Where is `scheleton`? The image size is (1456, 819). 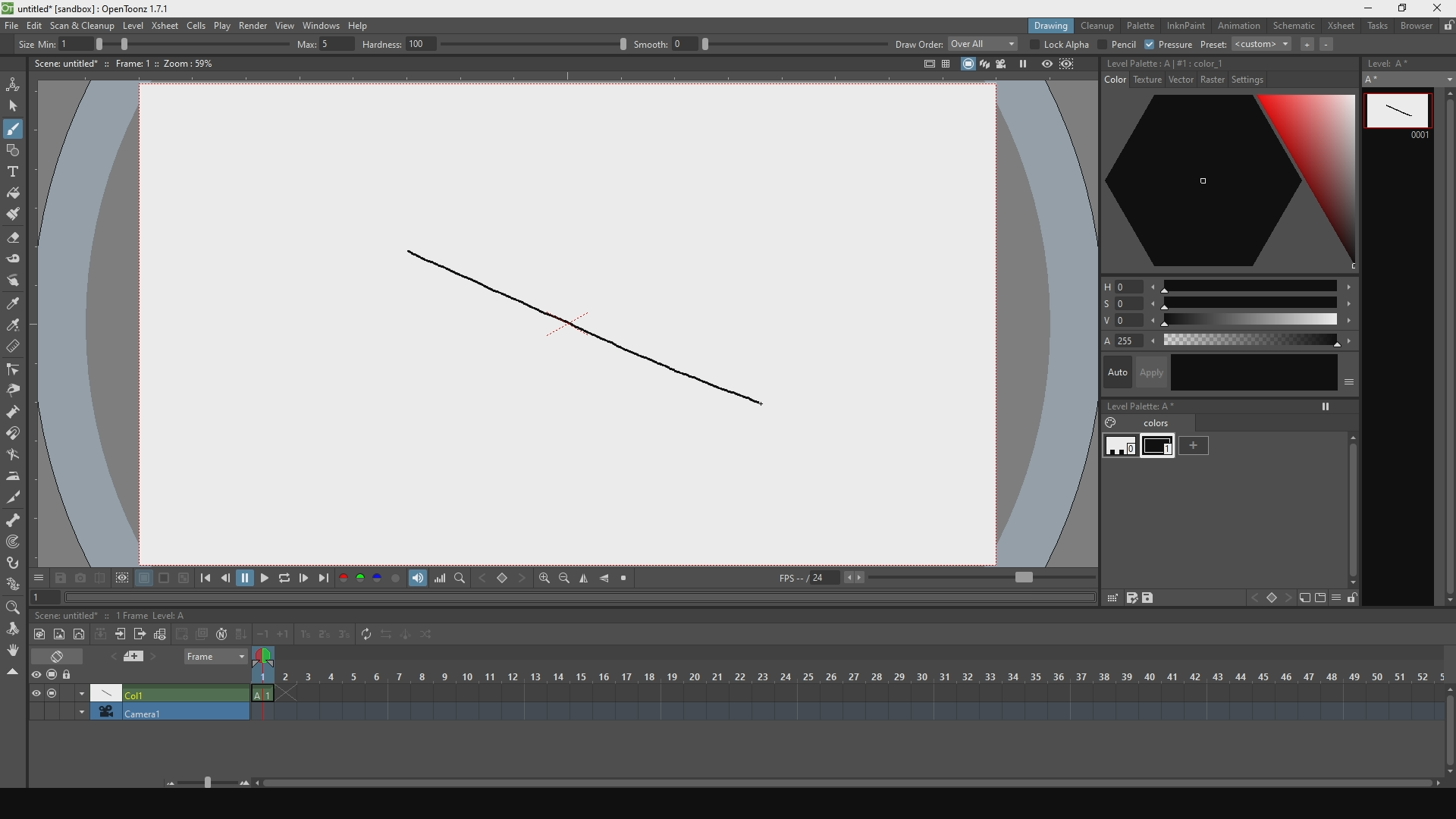 scheleton is located at coordinates (13, 519).